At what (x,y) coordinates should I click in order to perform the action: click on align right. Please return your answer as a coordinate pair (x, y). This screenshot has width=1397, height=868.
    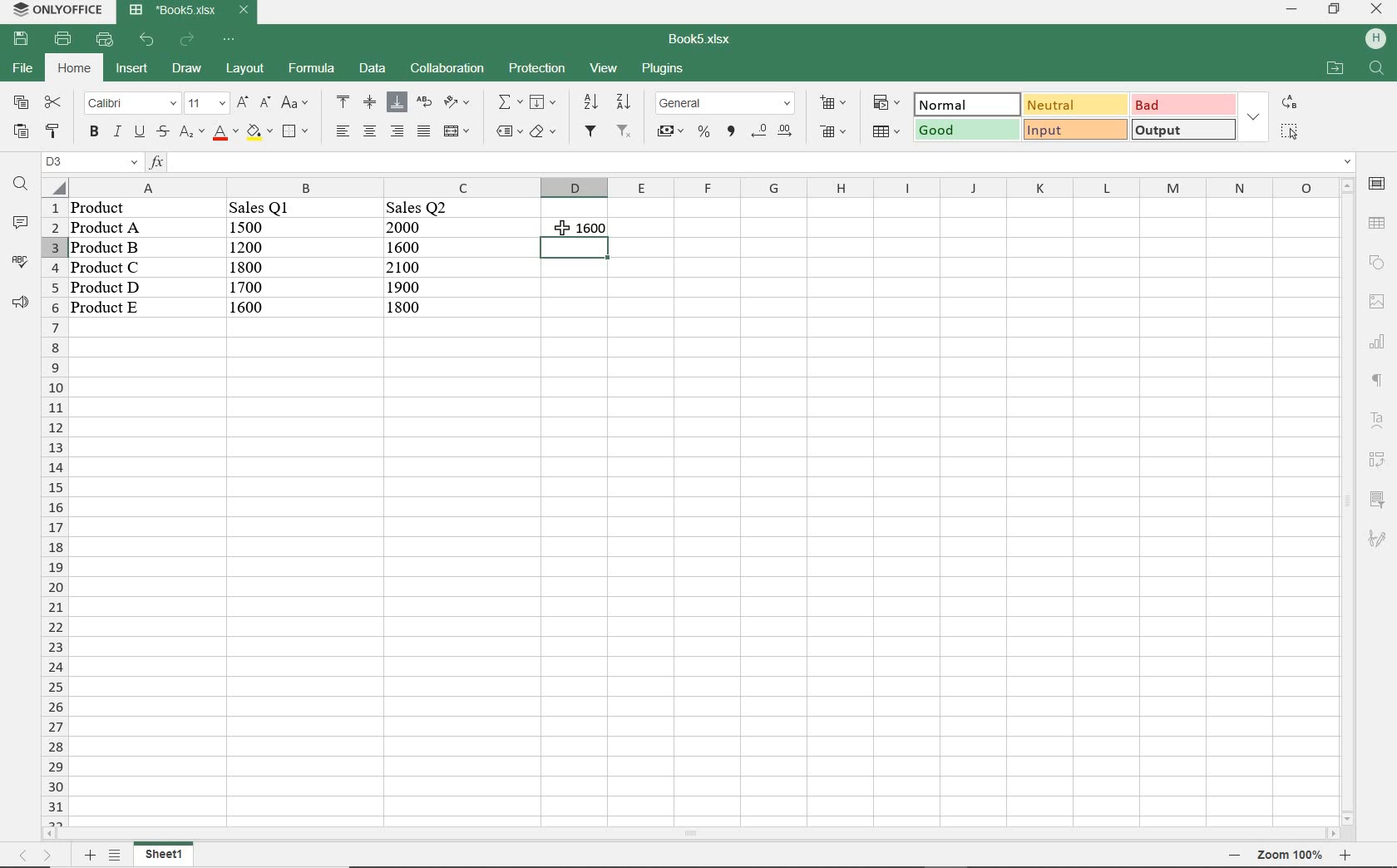
    Looking at the image, I should click on (341, 131).